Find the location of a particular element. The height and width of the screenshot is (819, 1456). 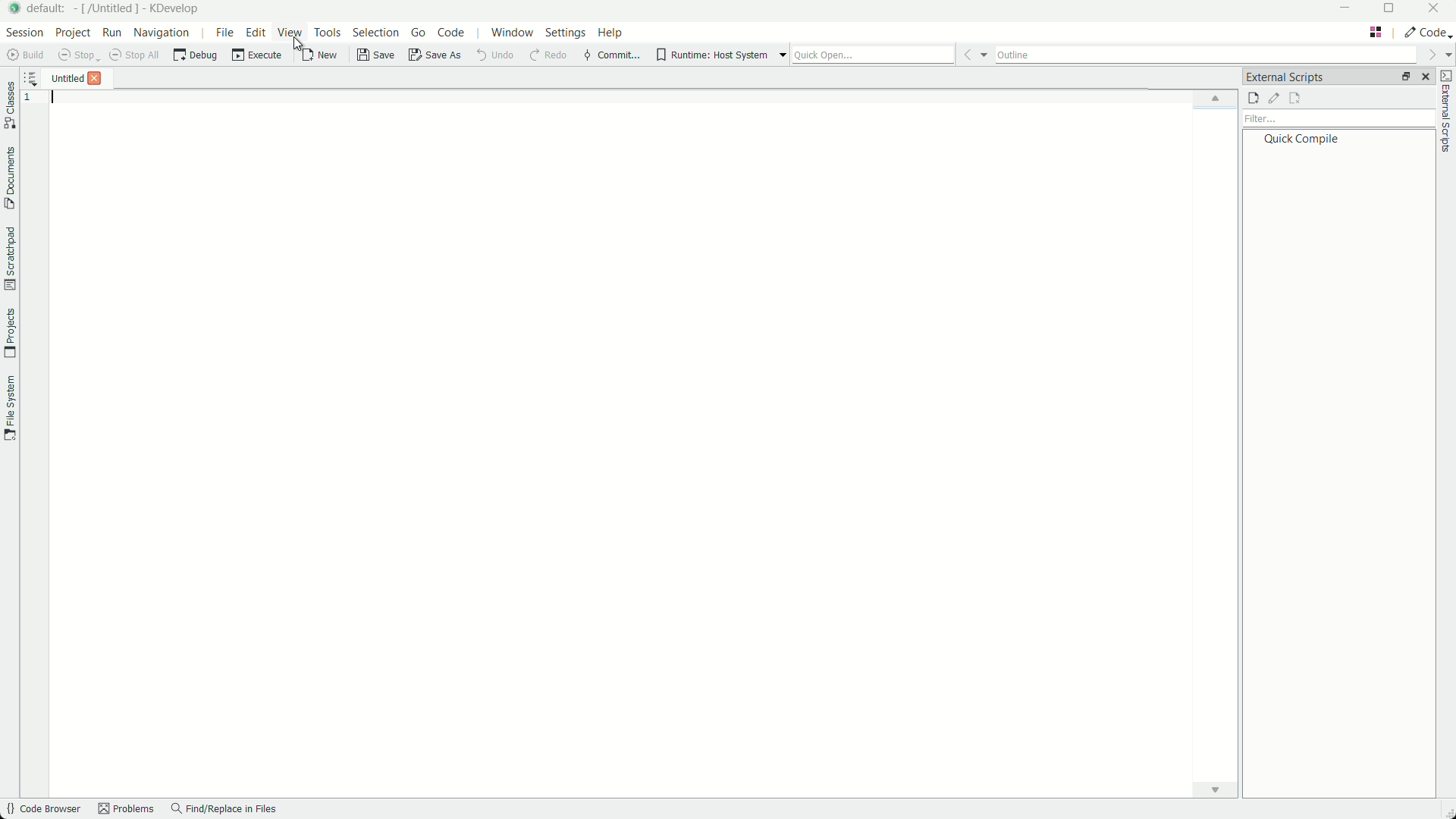

new external scripts is located at coordinates (1253, 99).